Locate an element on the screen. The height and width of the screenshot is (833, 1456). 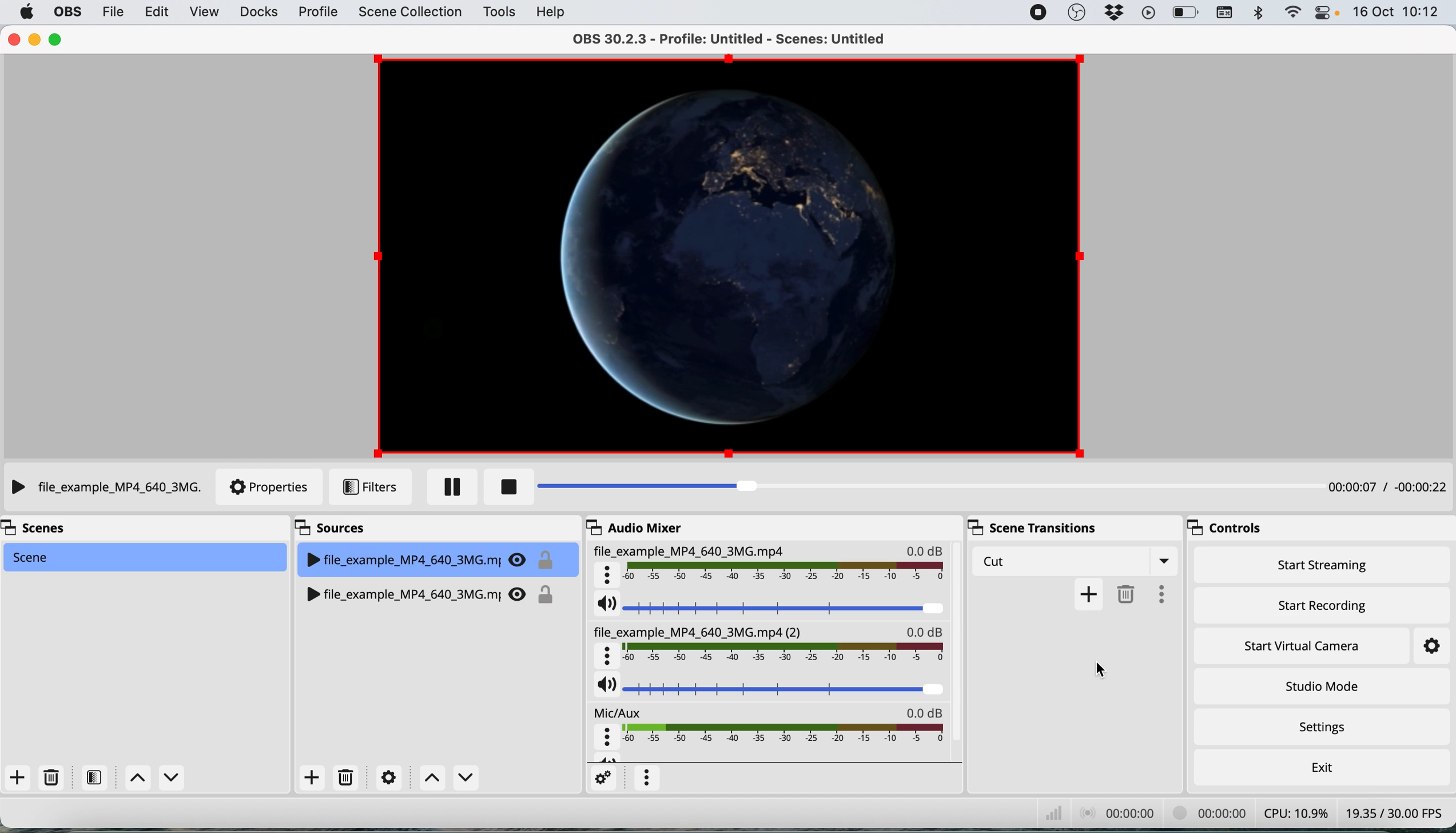
current source preview screen is located at coordinates (724, 256).